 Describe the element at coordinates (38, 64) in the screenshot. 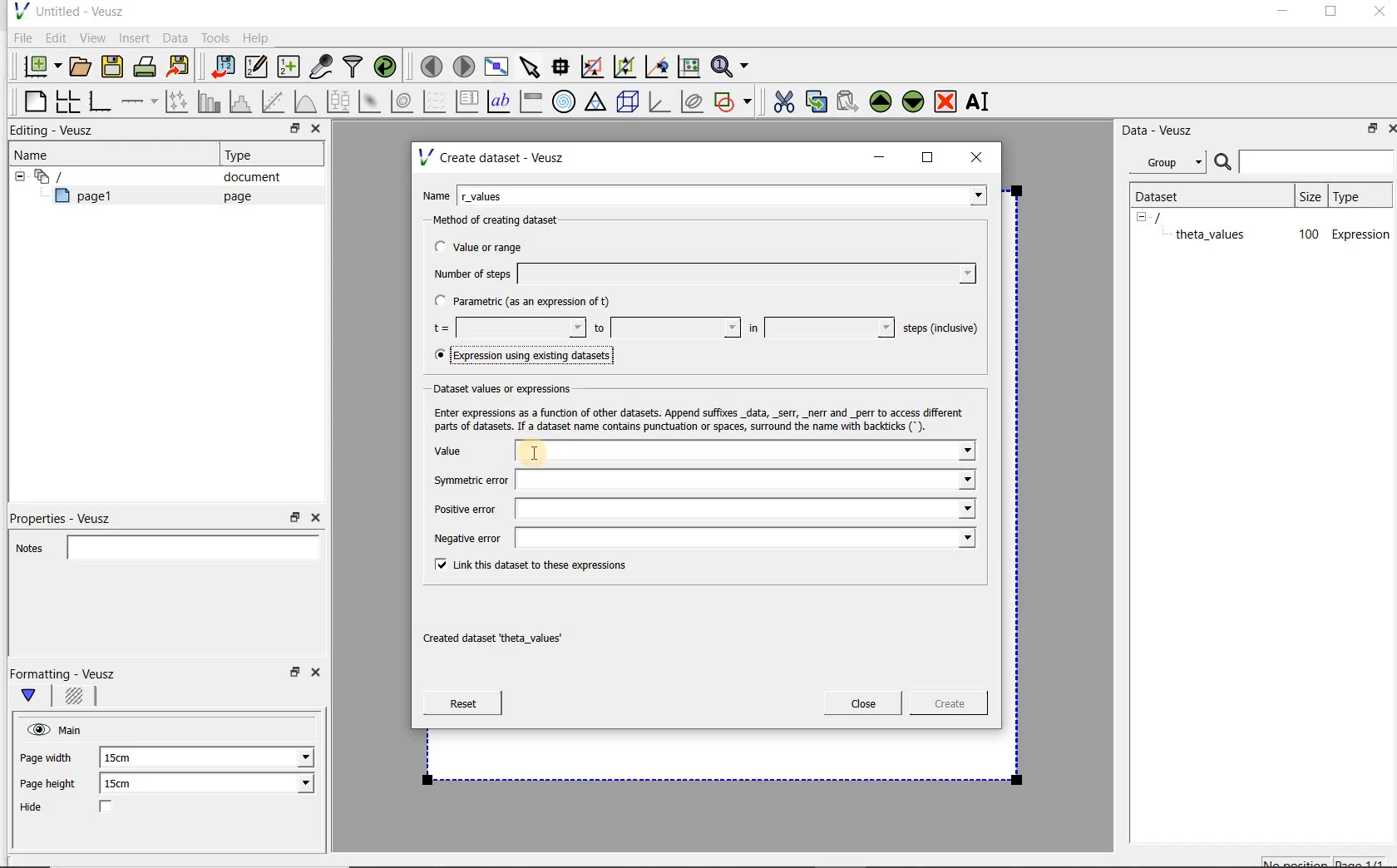

I see `new document` at that location.